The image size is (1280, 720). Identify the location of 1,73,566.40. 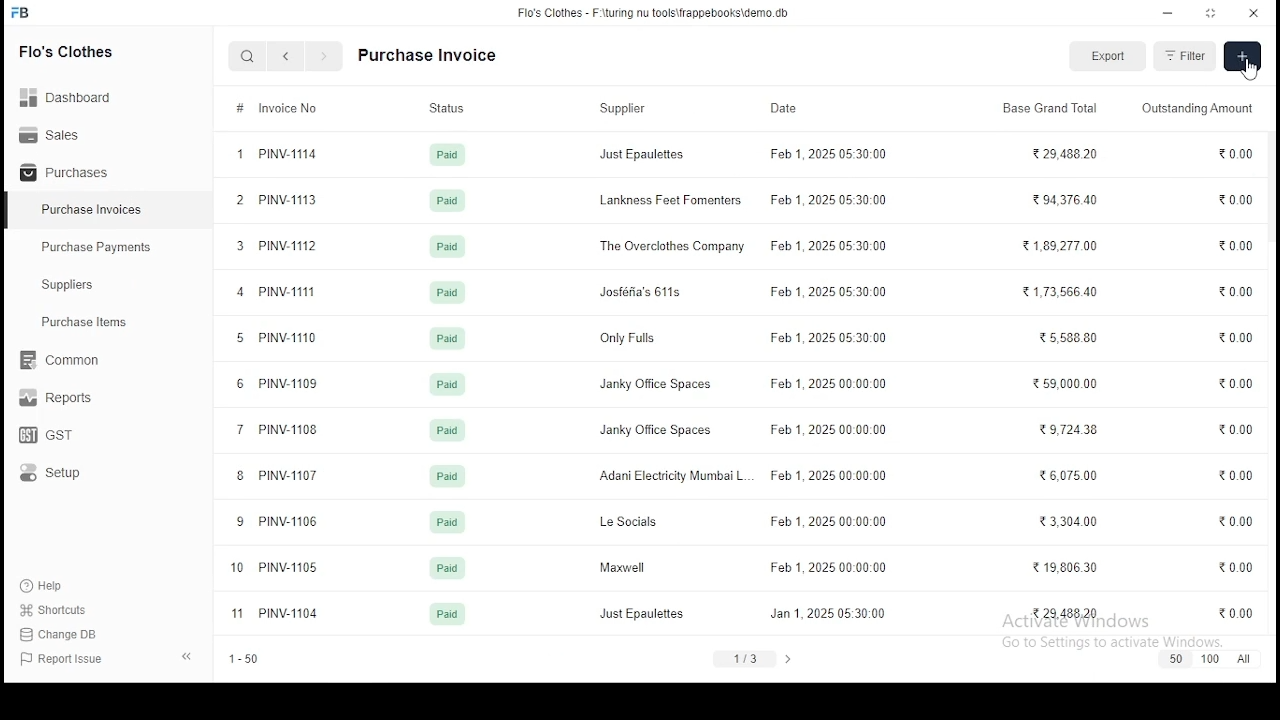
(1062, 293).